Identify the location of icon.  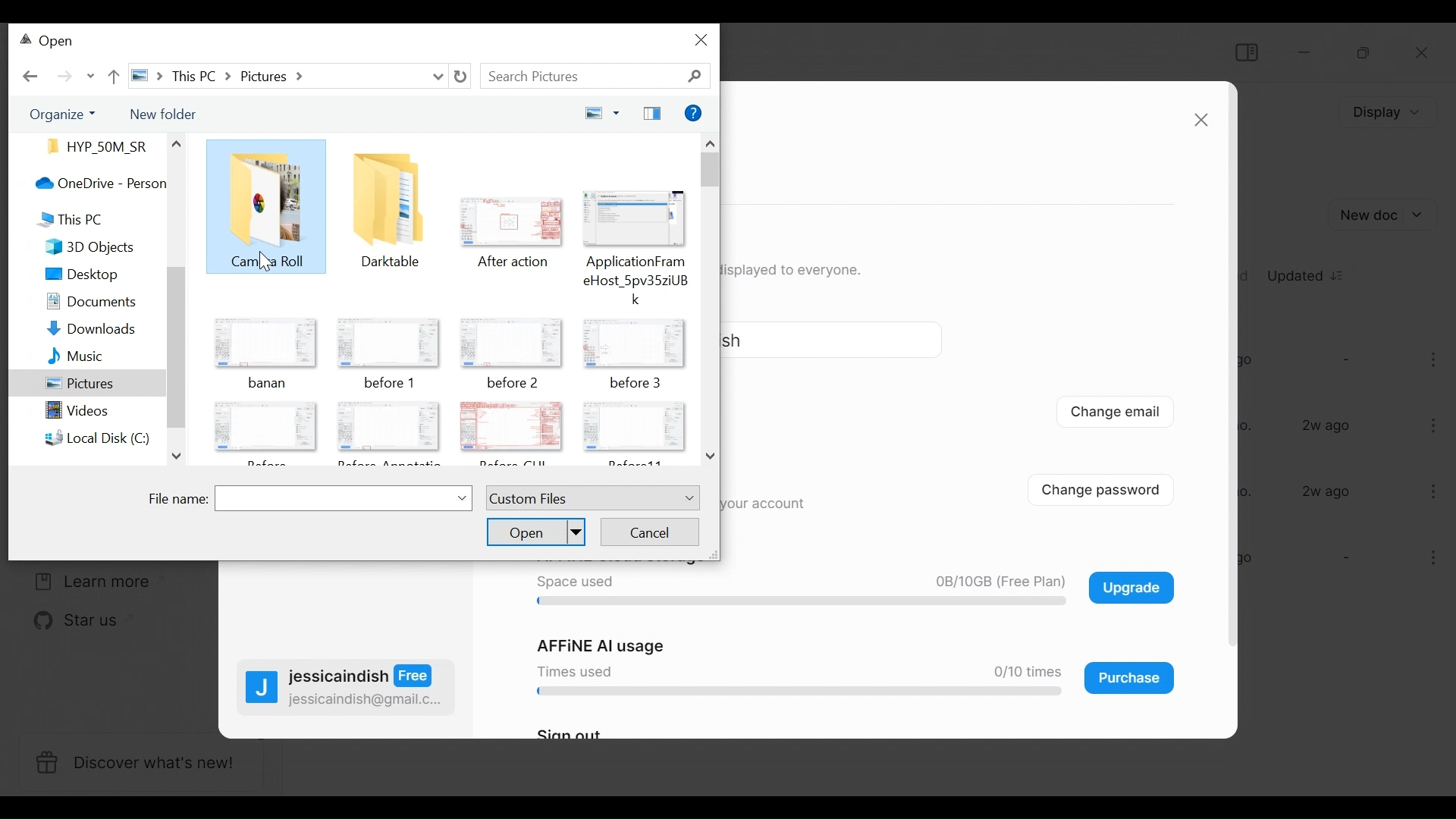
(265, 428).